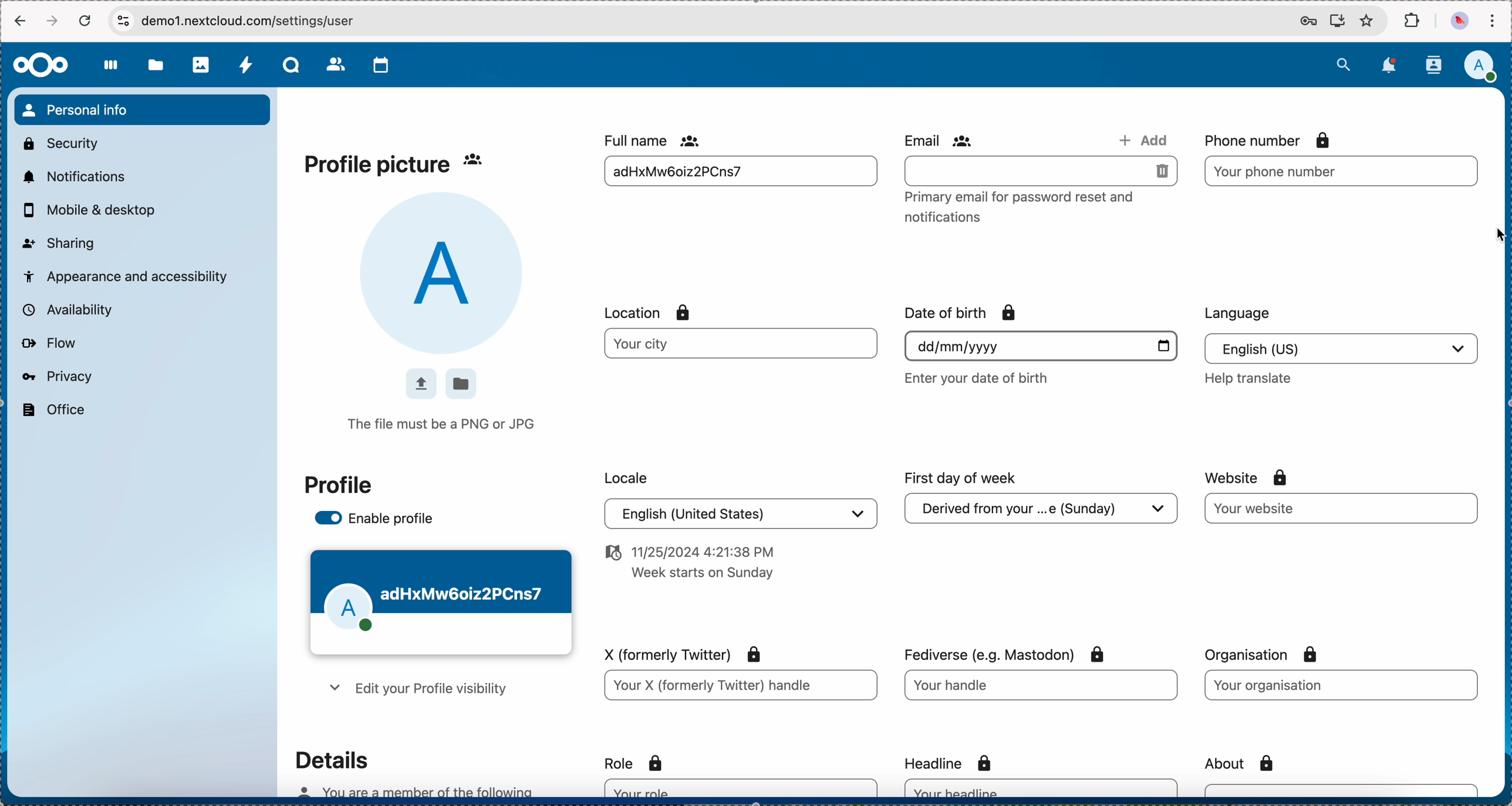 The height and width of the screenshot is (806, 1512). What do you see at coordinates (741, 788) in the screenshot?
I see `type here` at bounding box center [741, 788].